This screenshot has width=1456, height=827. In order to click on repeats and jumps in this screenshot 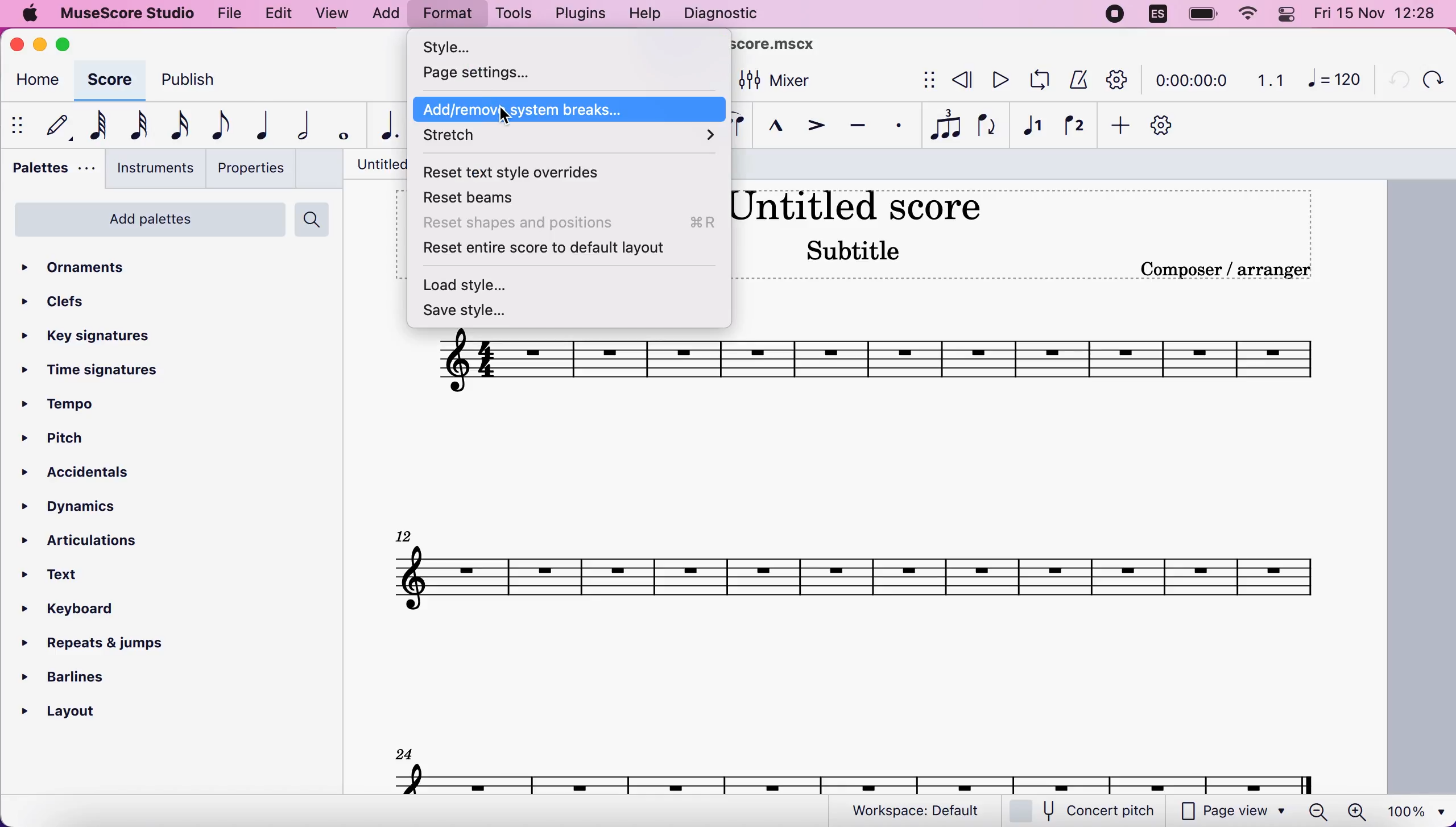, I will do `click(94, 639)`.